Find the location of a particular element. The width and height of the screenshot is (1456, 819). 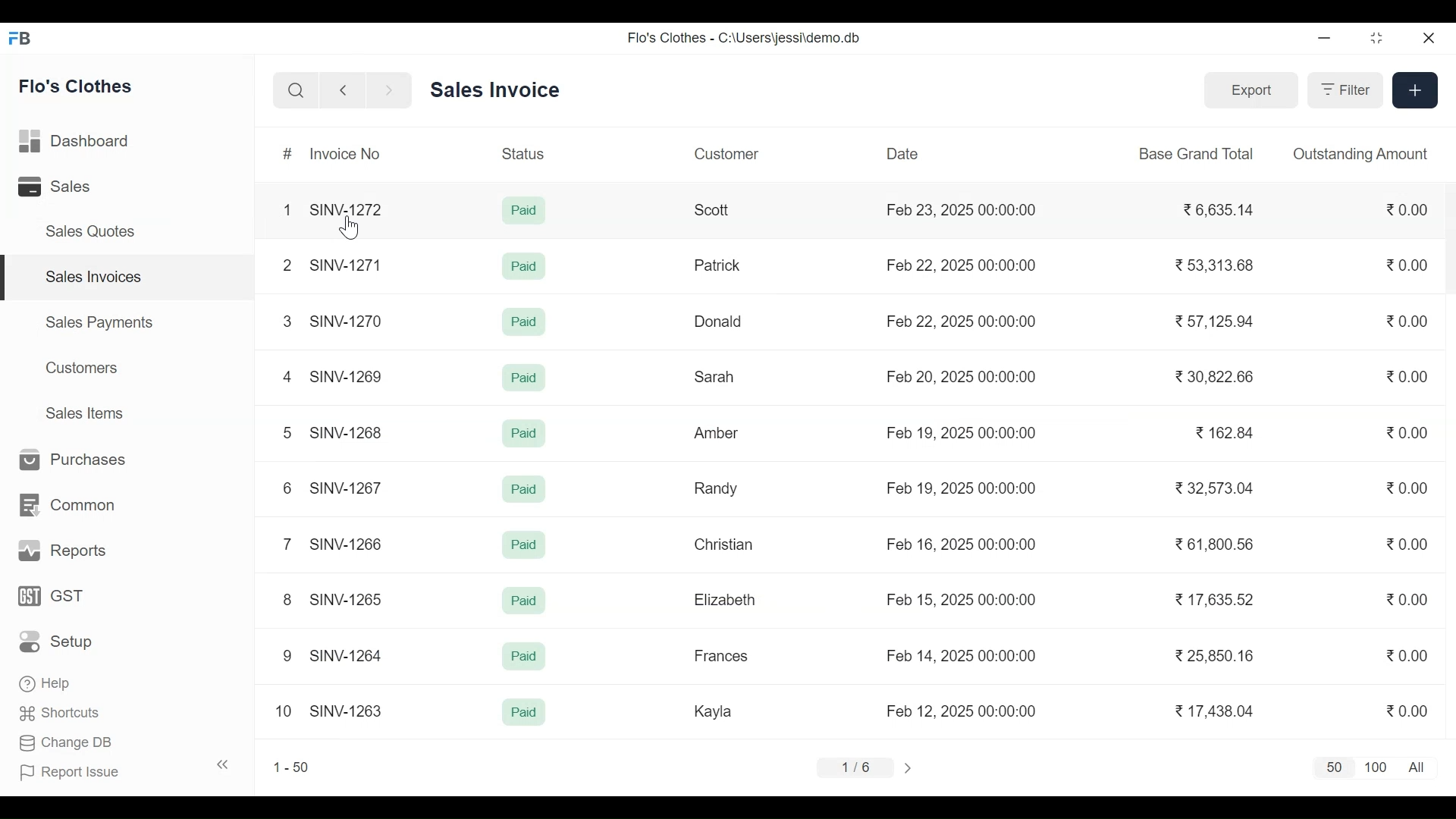

53 313.68 is located at coordinates (1215, 262).